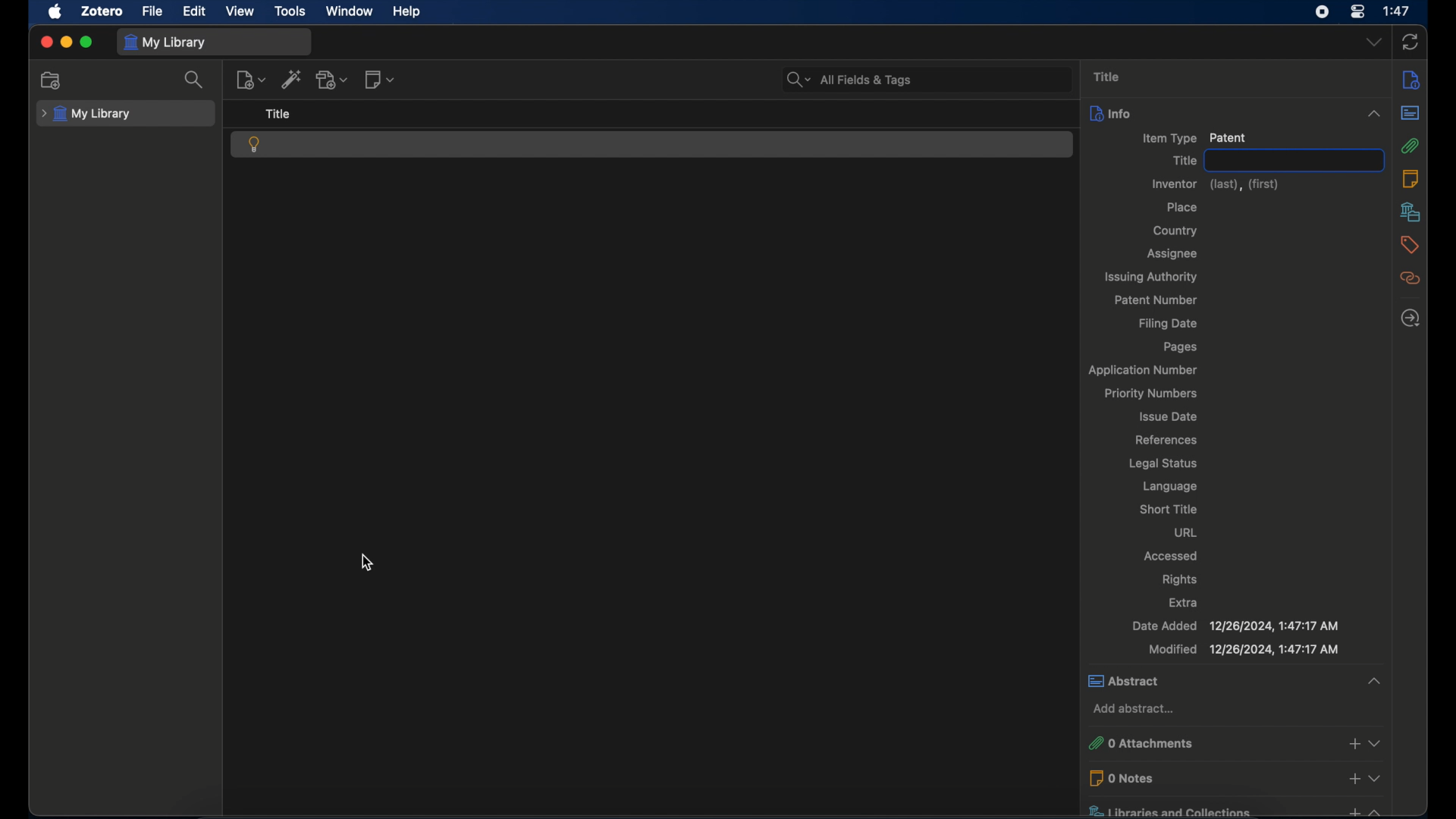 This screenshot has width=1456, height=819. Describe the element at coordinates (1152, 742) in the screenshot. I see `0 attachments` at that location.